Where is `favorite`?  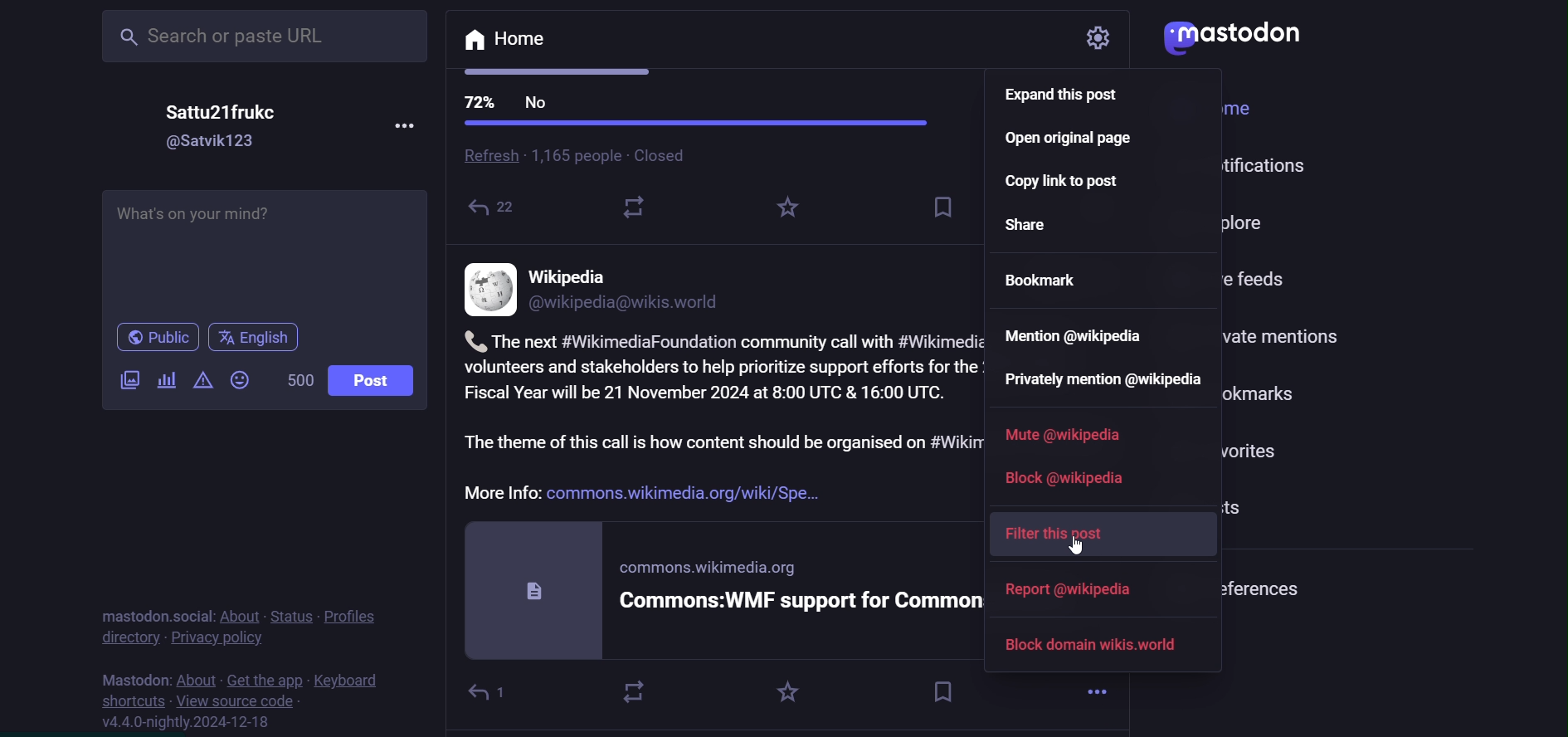 favorite is located at coordinates (795, 689).